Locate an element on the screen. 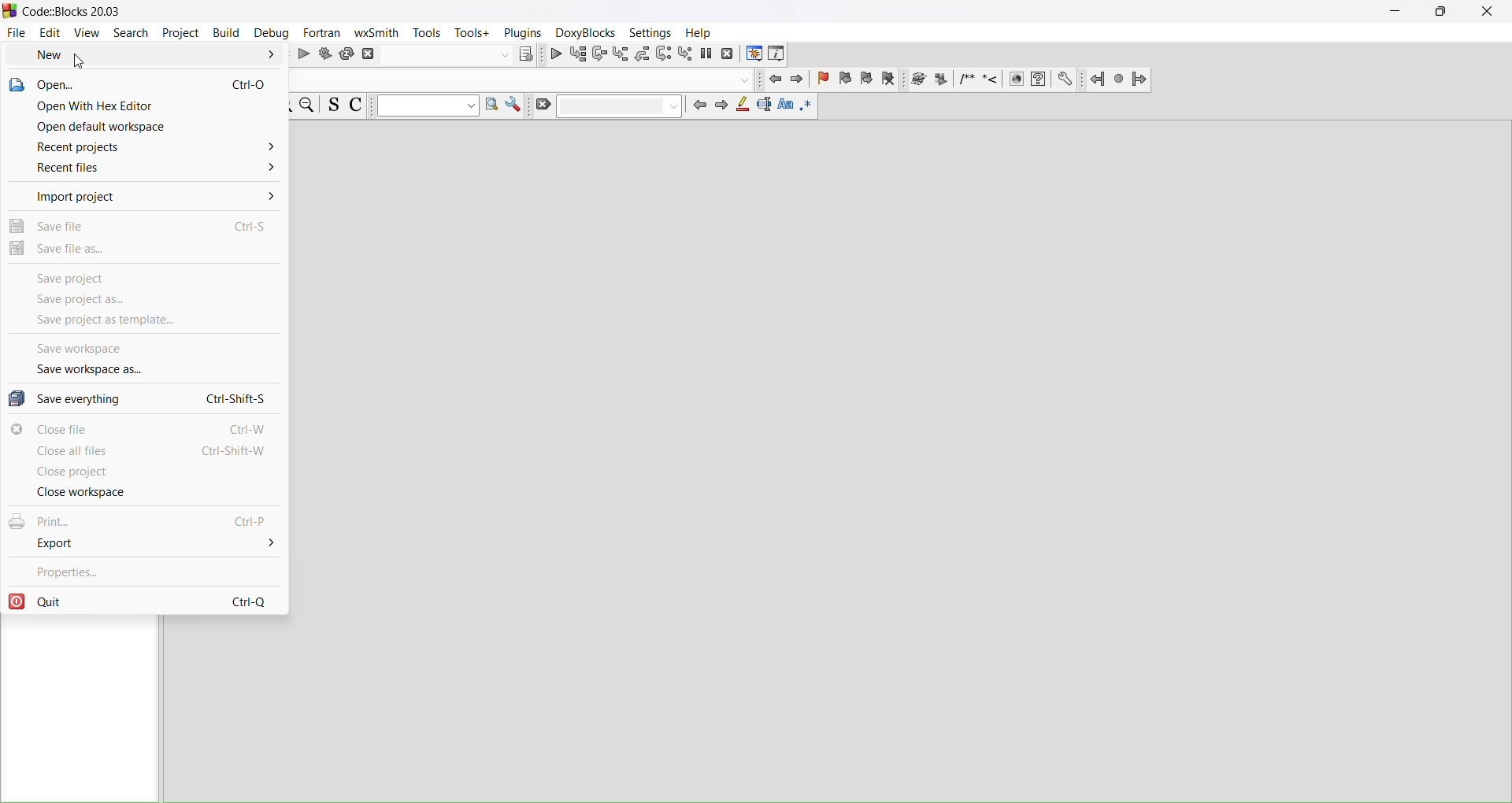 The height and width of the screenshot is (803, 1512). settings is located at coordinates (654, 34).